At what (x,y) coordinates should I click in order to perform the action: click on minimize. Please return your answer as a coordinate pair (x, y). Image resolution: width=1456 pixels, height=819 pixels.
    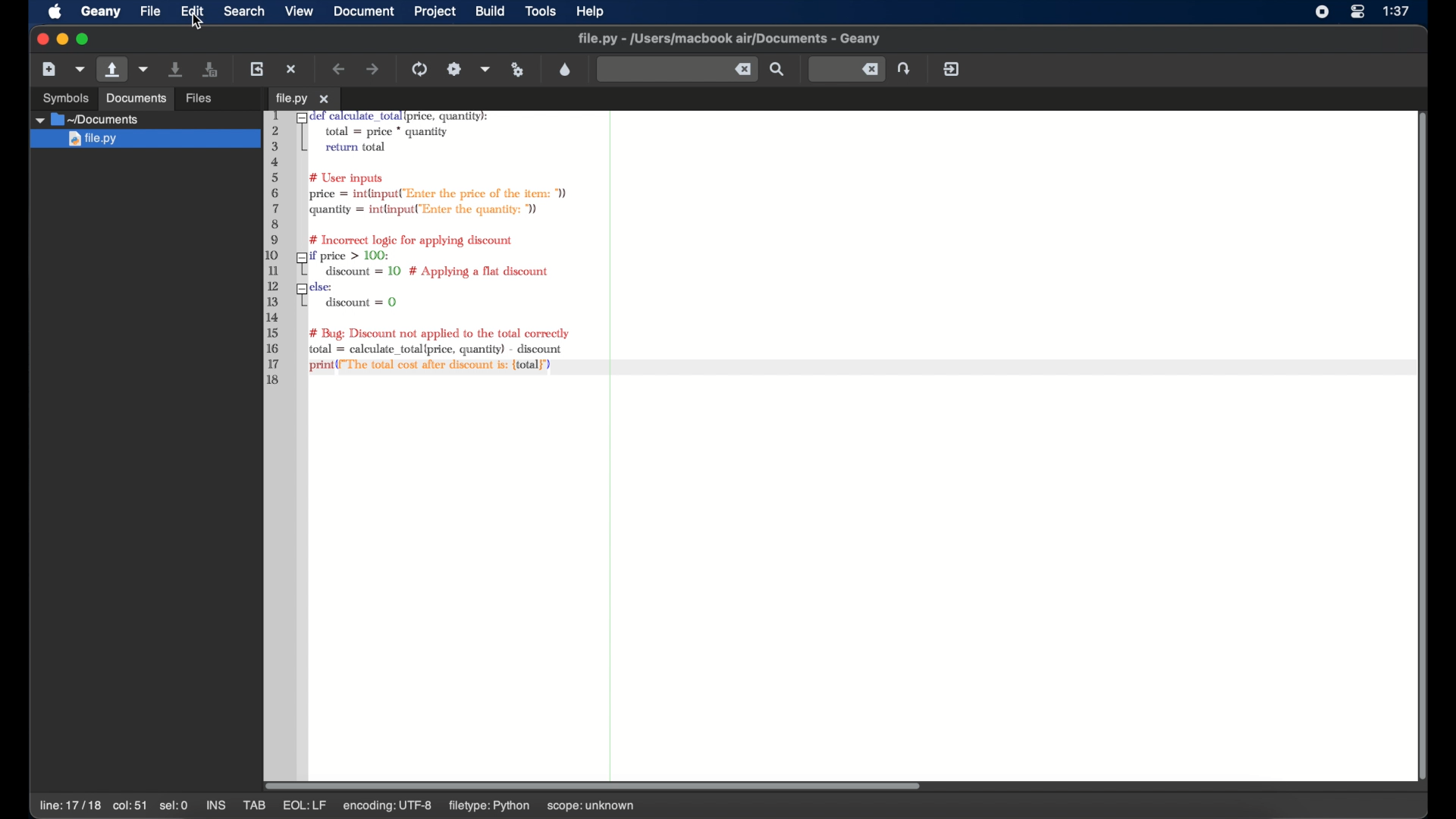
    Looking at the image, I should click on (62, 39).